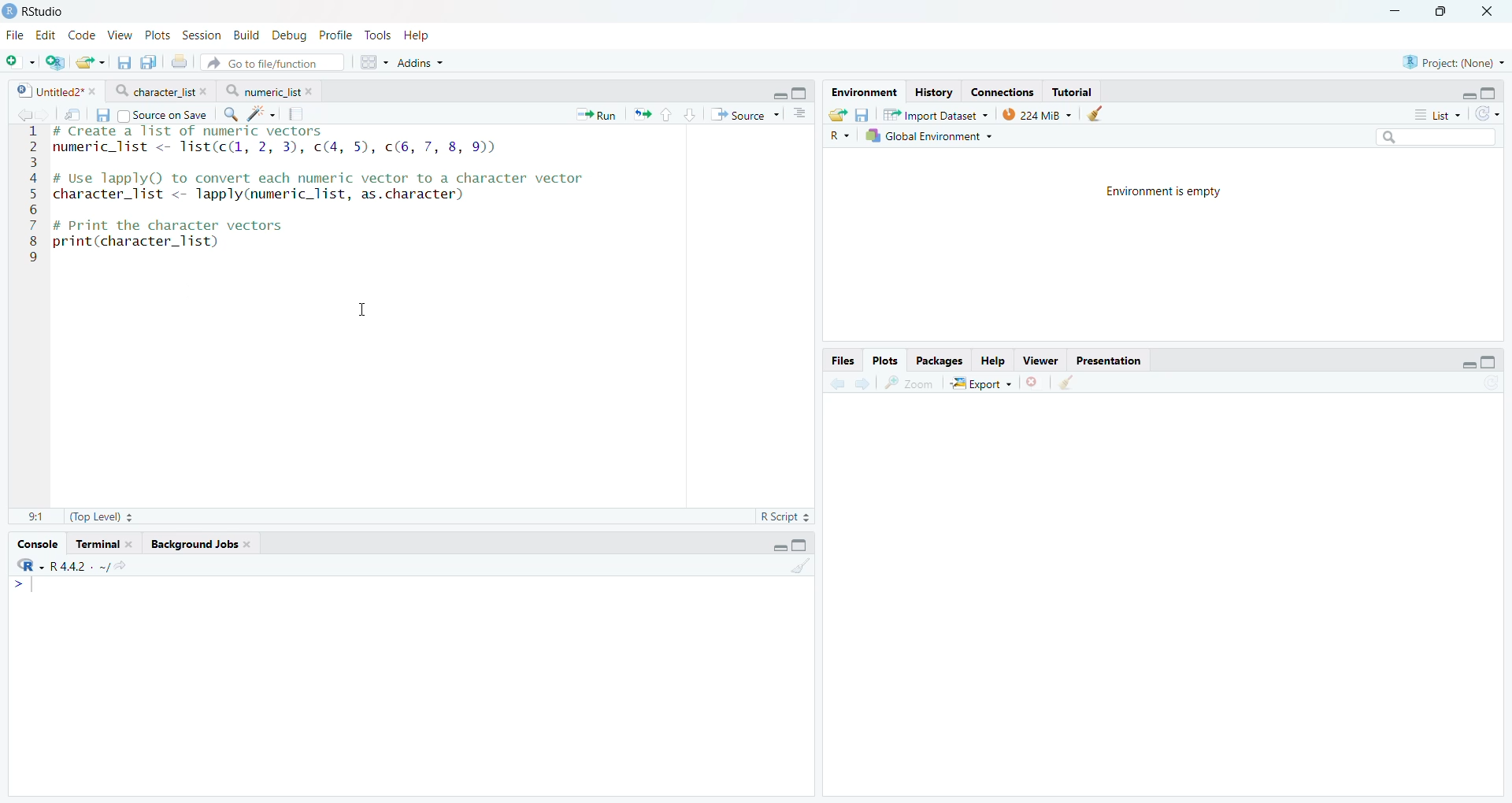  Describe the element at coordinates (1451, 61) in the screenshot. I see `Project: (None)` at that location.